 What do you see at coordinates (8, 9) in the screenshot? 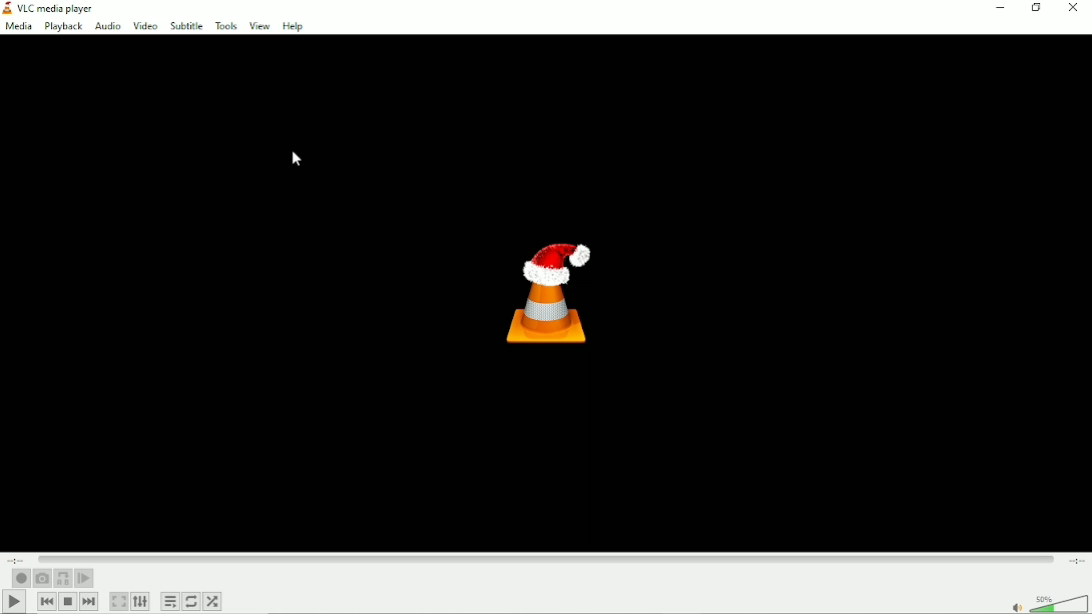
I see `vlc media player logo` at bounding box center [8, 9].